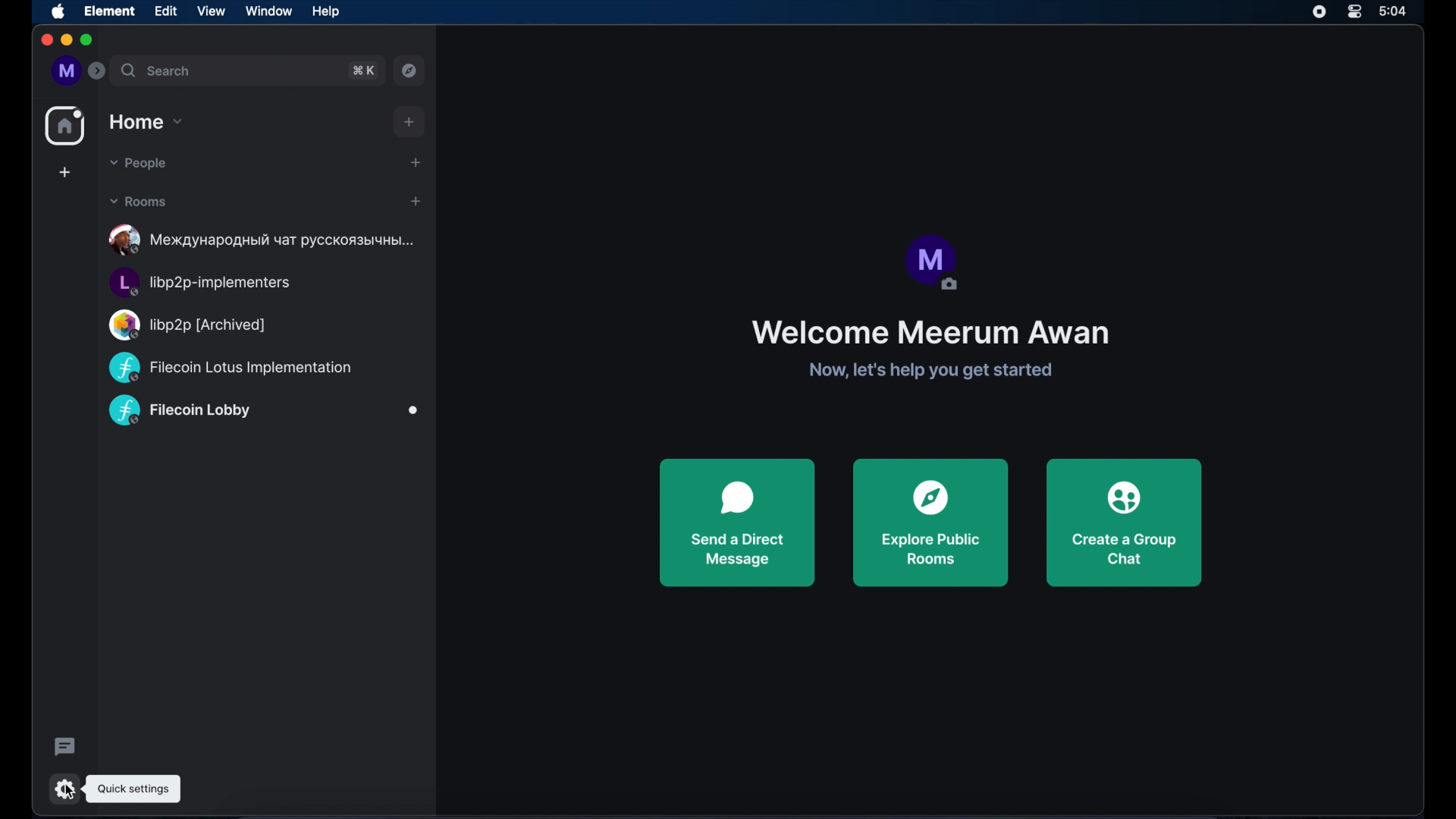 The image size is (1456, 819). Describe the element at coordinates (59, 12) in the screenshot. I see `apple icon` at that location.